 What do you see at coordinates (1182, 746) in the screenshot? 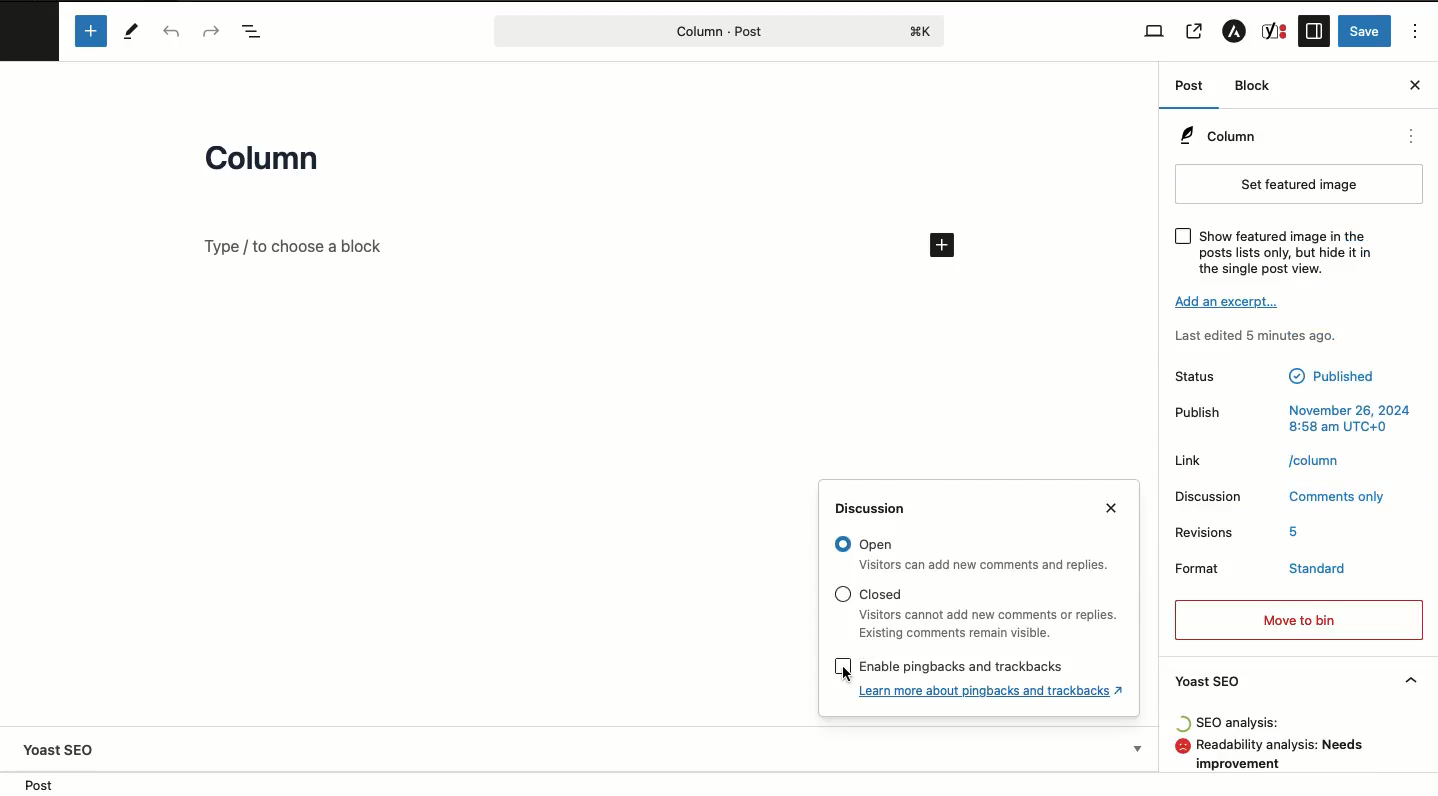
I see `emoji` at bounding box center [1182, 746].